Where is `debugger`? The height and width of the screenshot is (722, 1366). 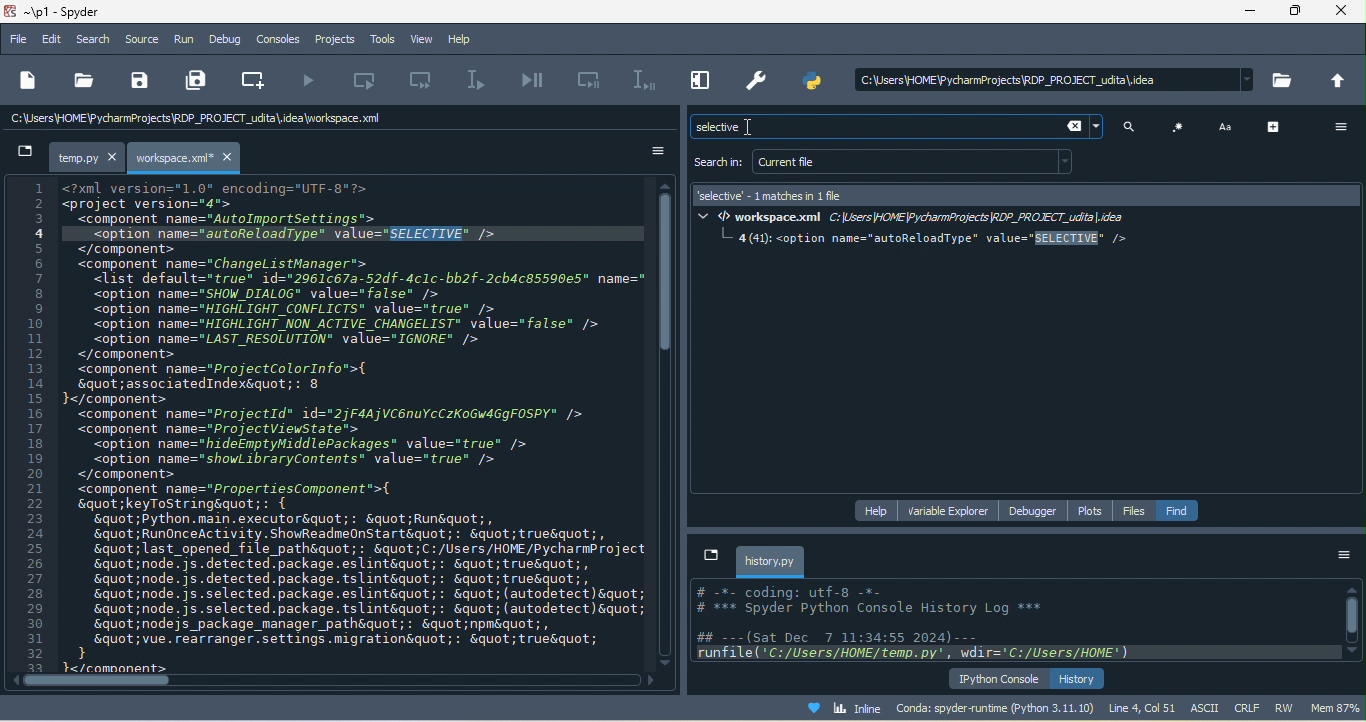 debugger is located at coordinates (1037, 511).